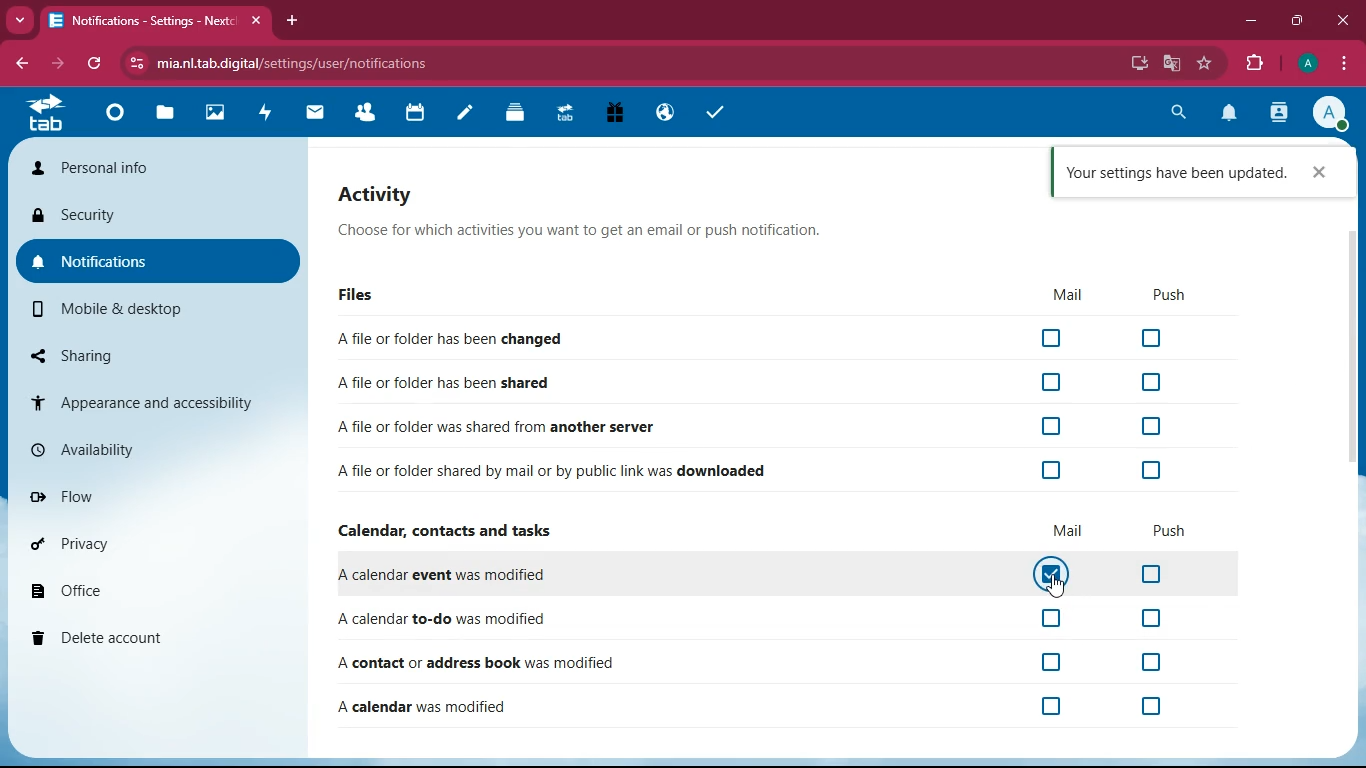 The width and height of the screenshot is (1366, 768). I want to click on notes, so click(468, 116).